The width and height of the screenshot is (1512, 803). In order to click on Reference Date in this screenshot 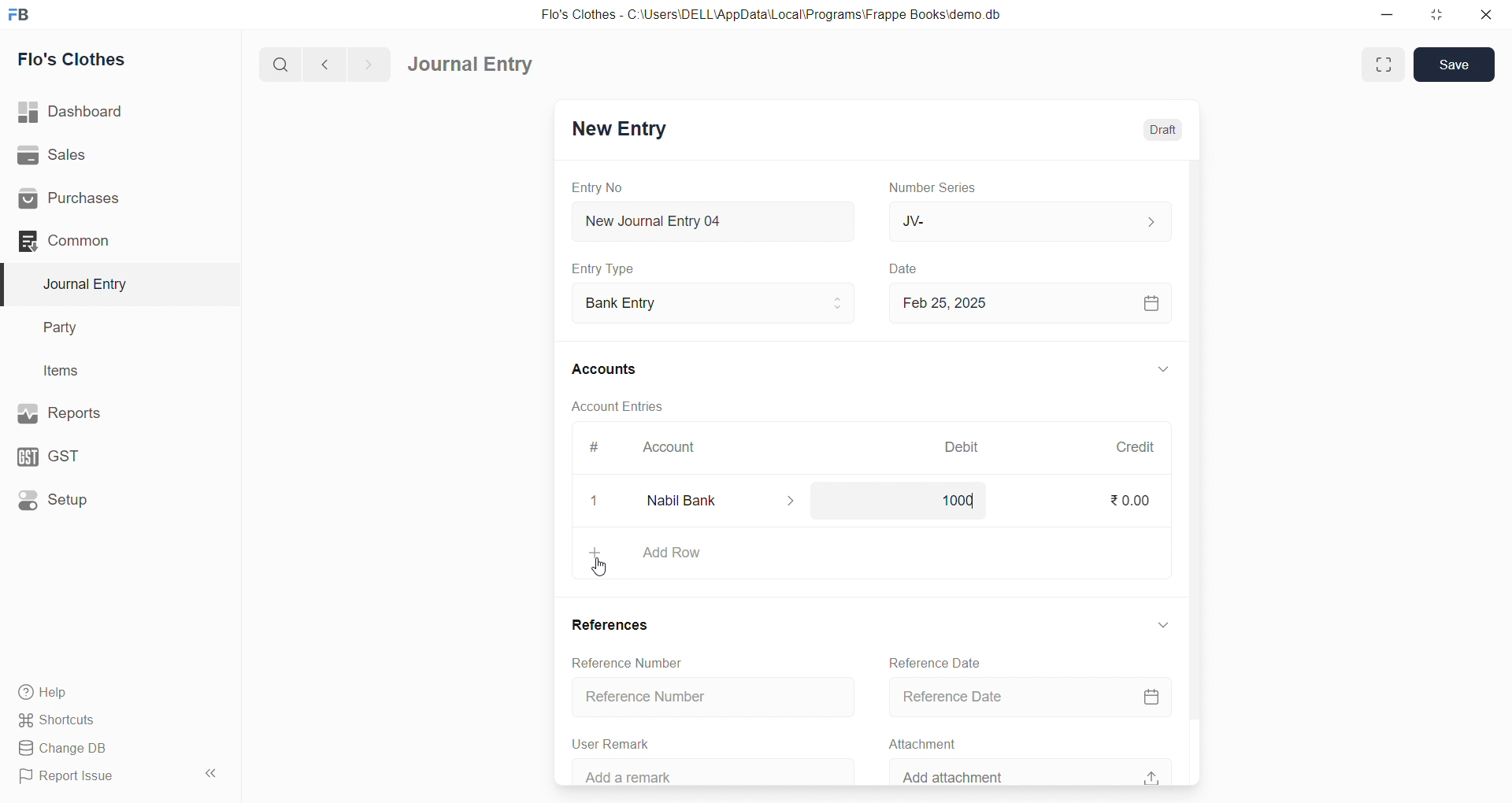, I will do `click(931, 661)`.